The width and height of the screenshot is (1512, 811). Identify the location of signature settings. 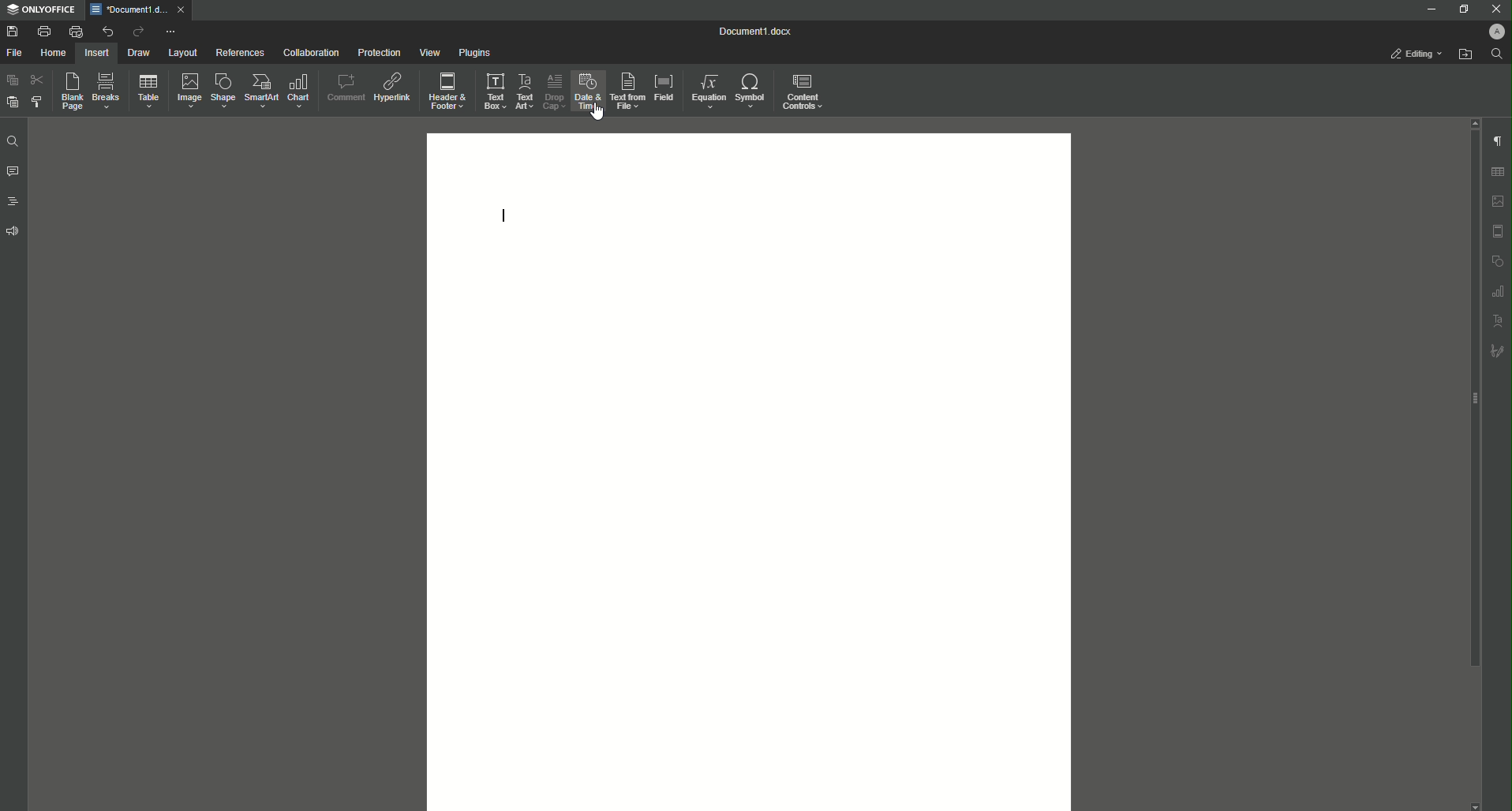
(1497, 349).